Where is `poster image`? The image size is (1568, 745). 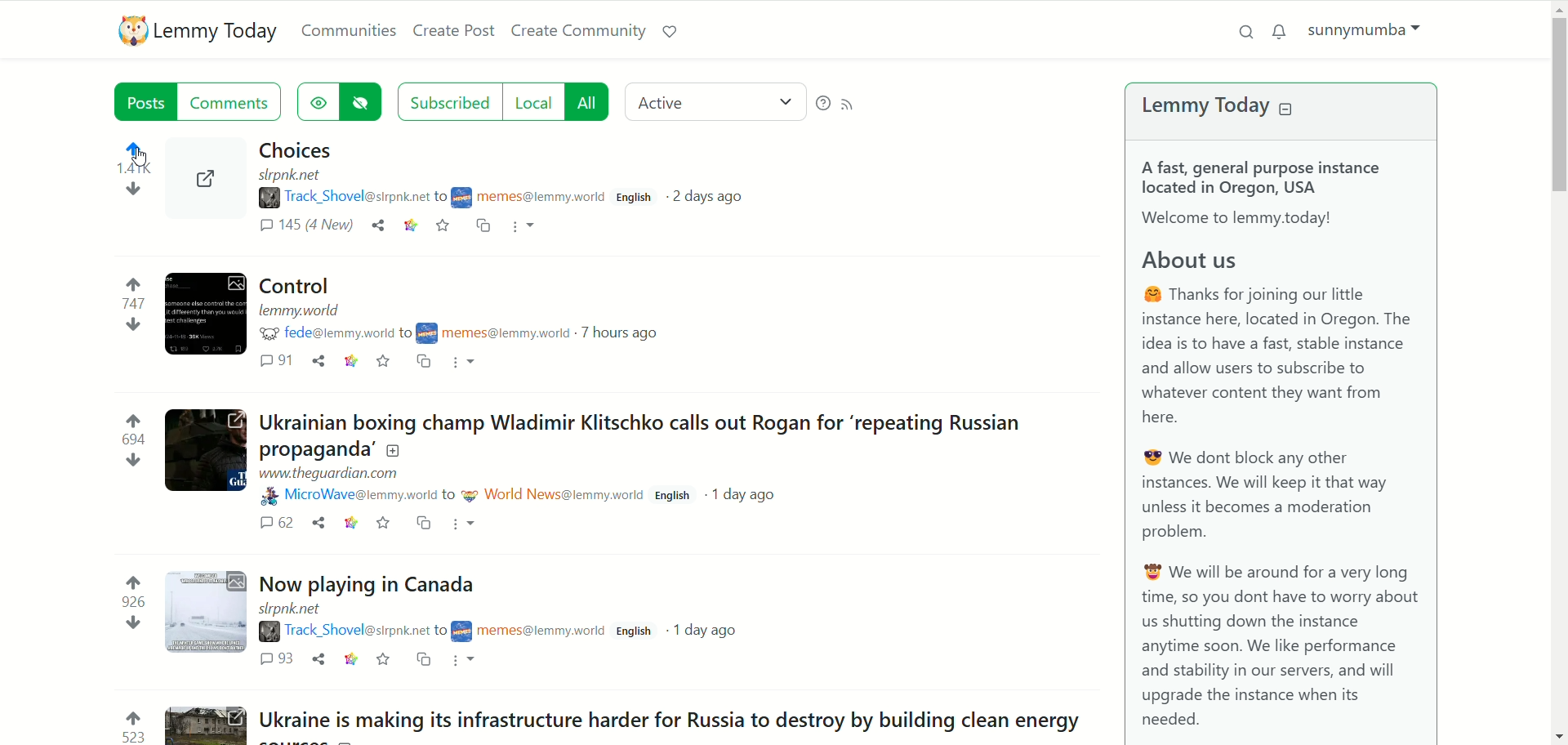
poster image is located at coordinates (269, 495).